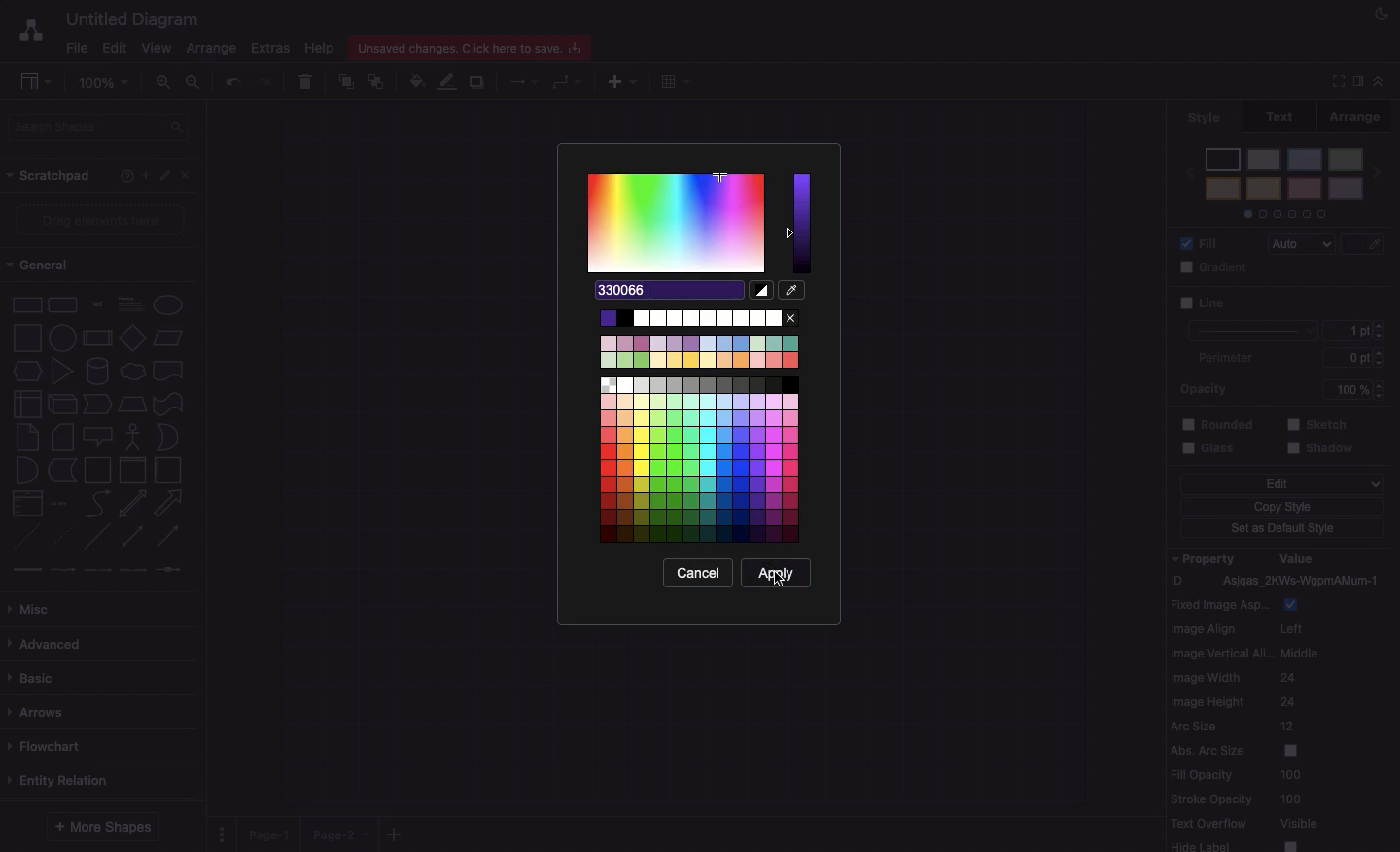 The image size is (1400, 852). What do you see at coordinates (189, 176) in the screenshot?
I see `Close` at bounding box center [189, 176].